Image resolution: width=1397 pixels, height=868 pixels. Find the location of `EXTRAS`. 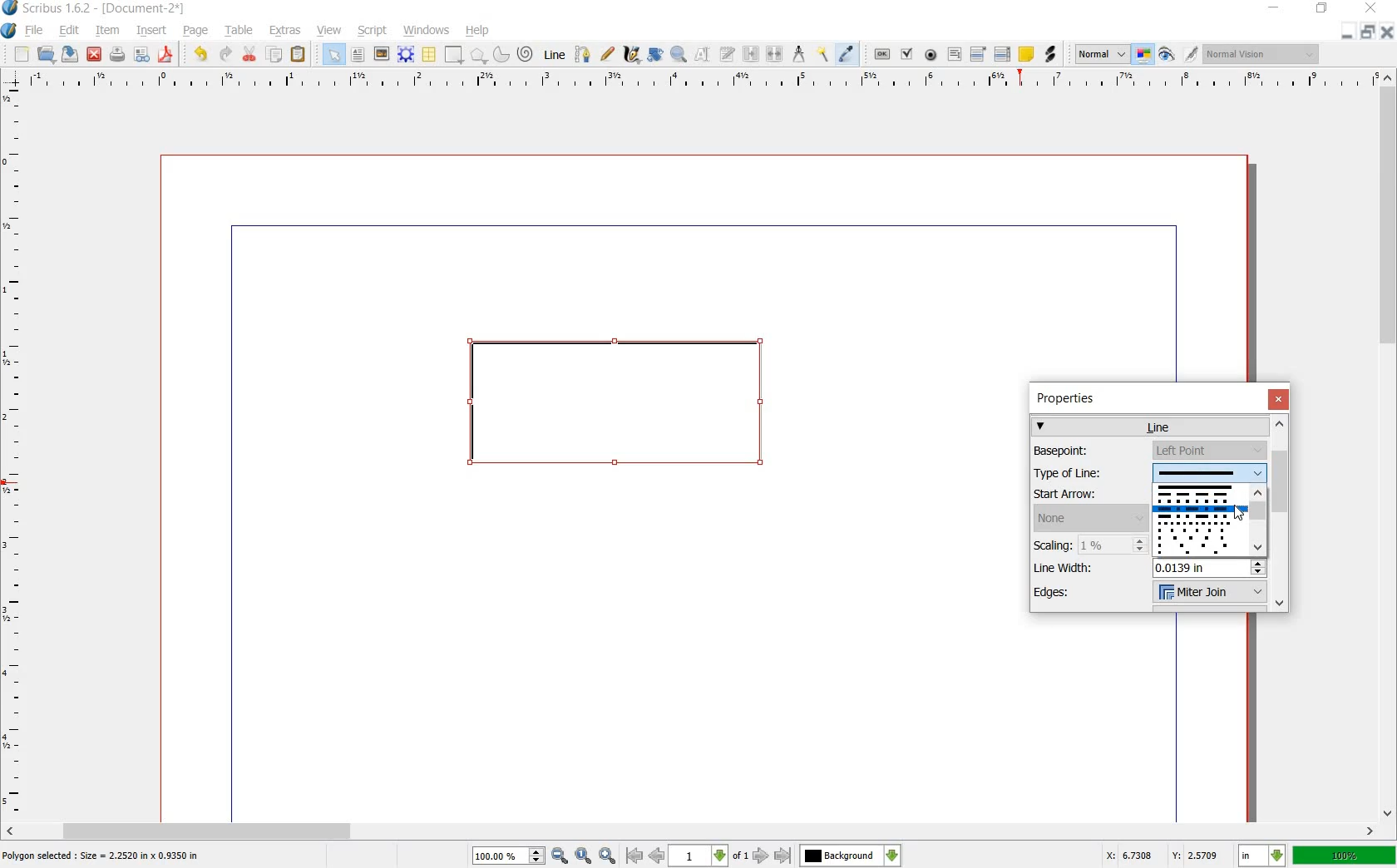

EXTRAS is located at coordinates (286, 32).